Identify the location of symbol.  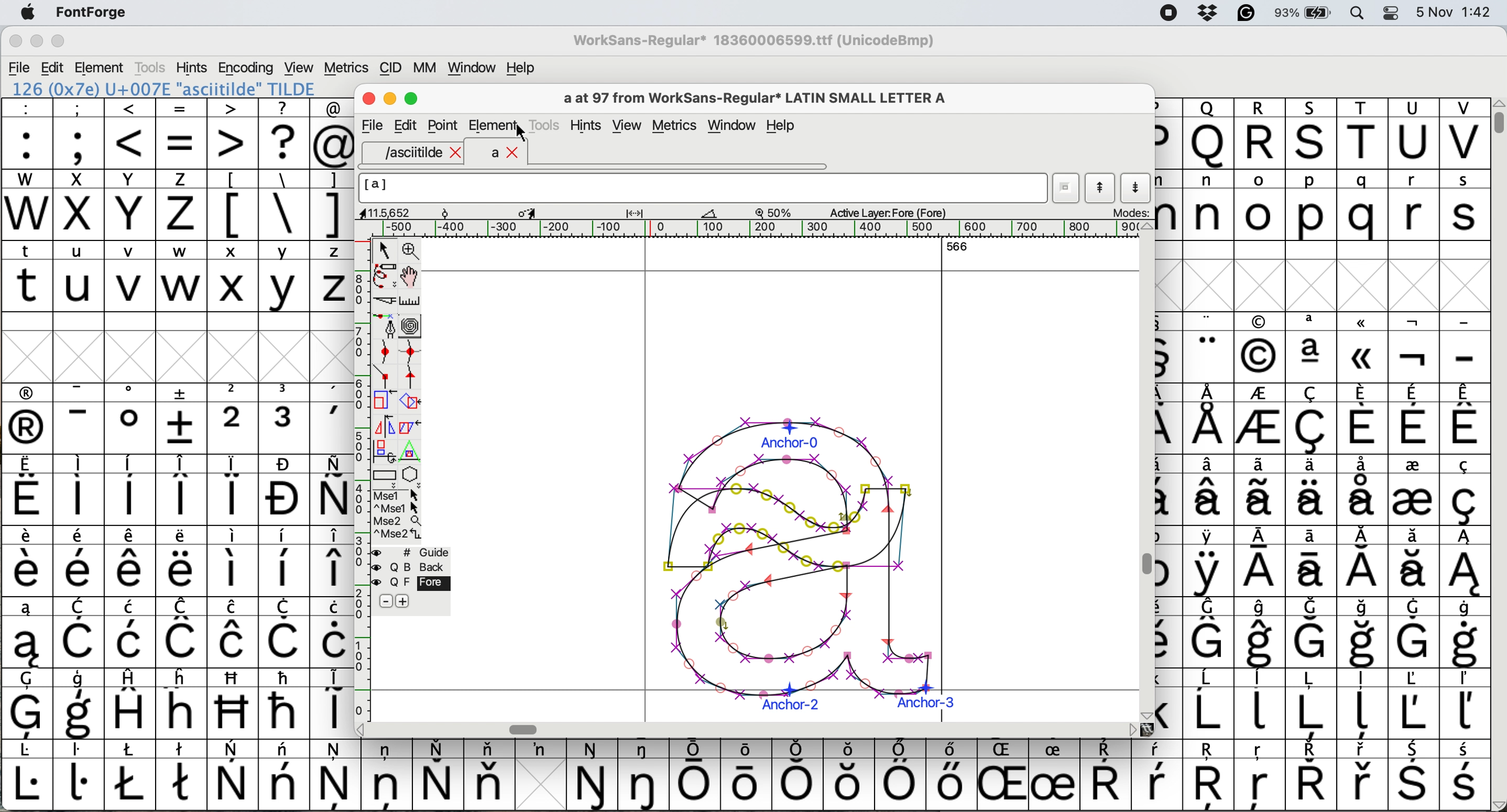
(332, 562).